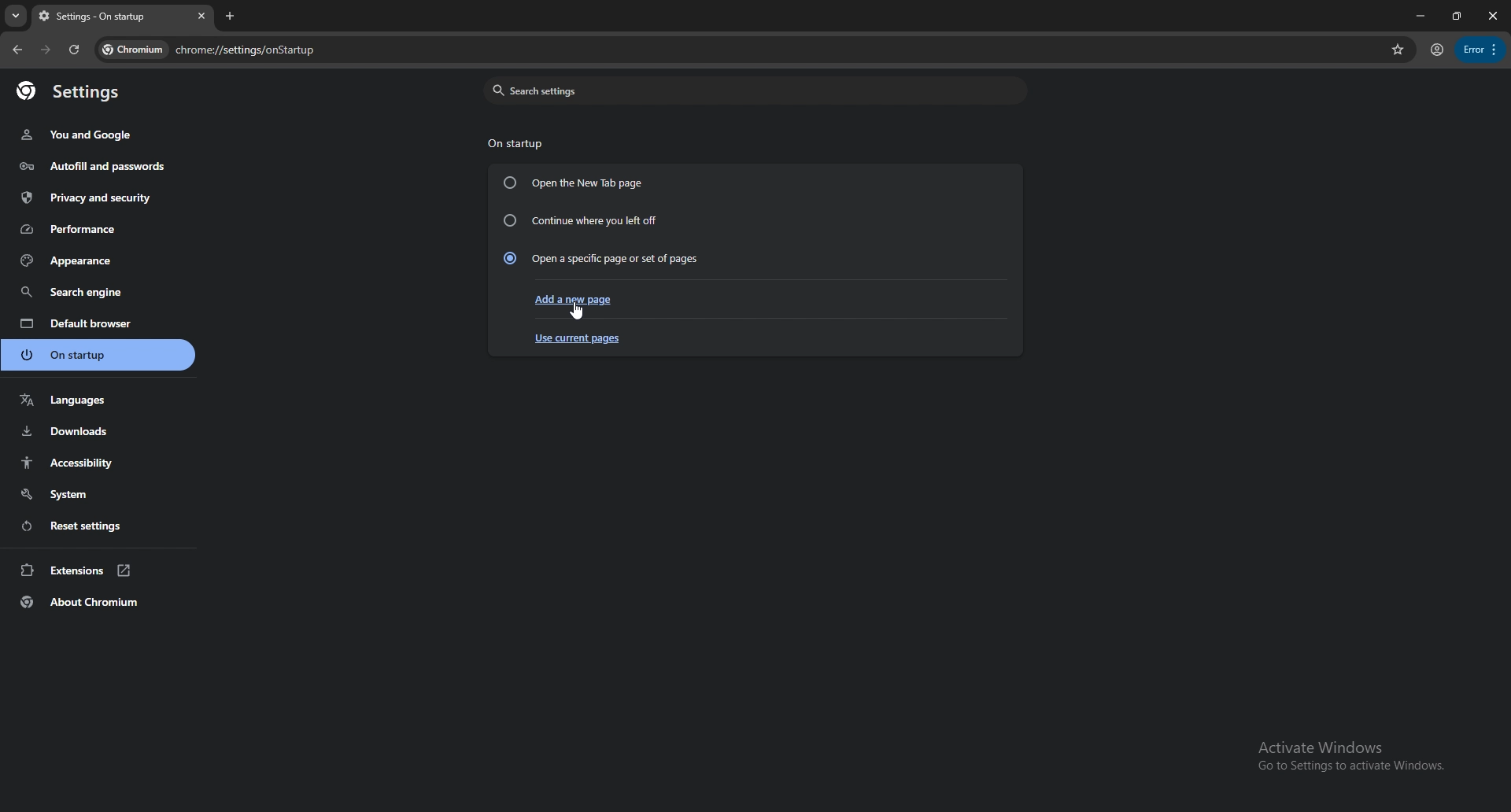 The image size is (1511, 812). I want to click on settings, so click(80, 93).